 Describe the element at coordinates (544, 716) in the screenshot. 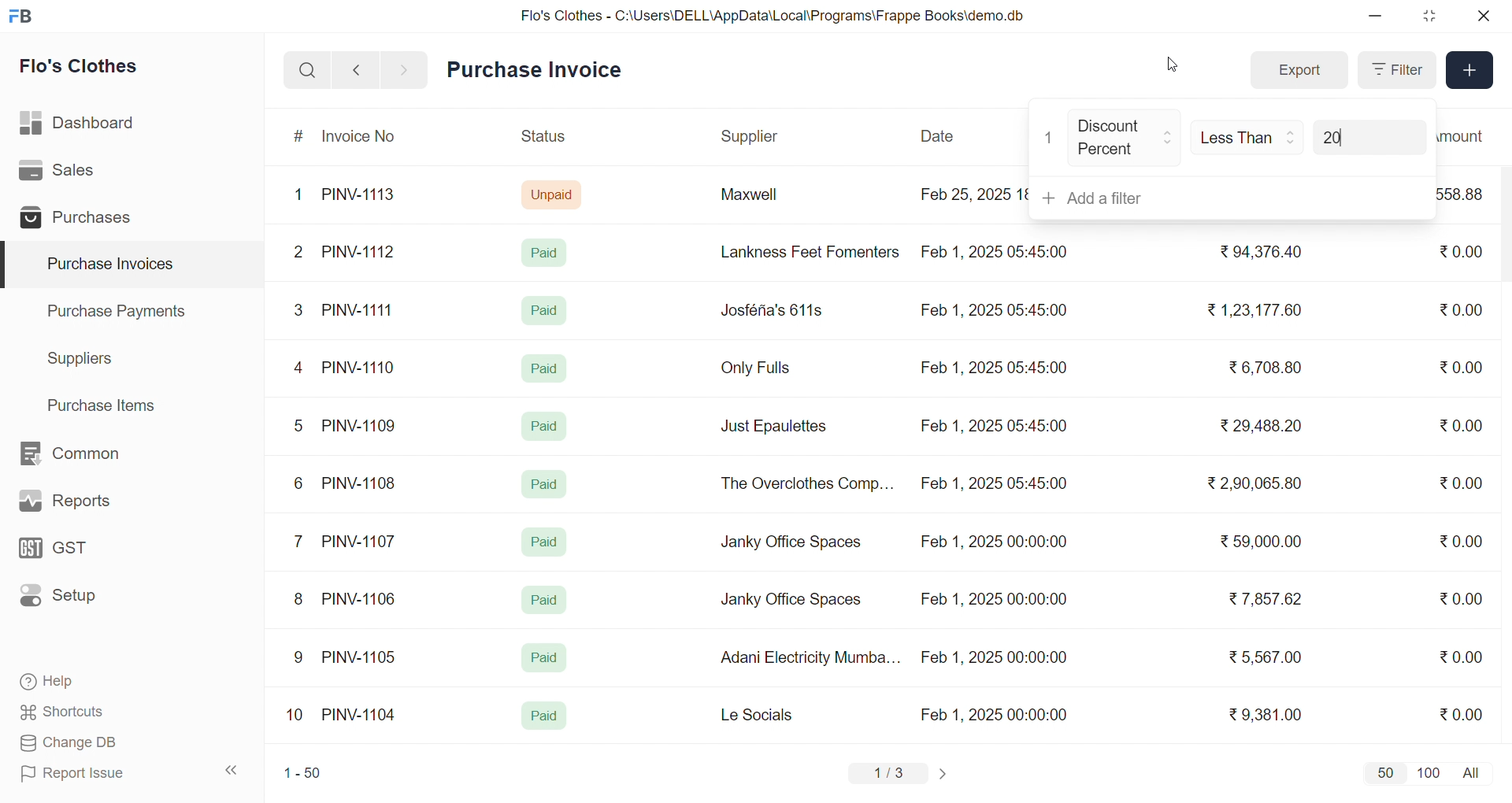

I see `Paid` at that location.